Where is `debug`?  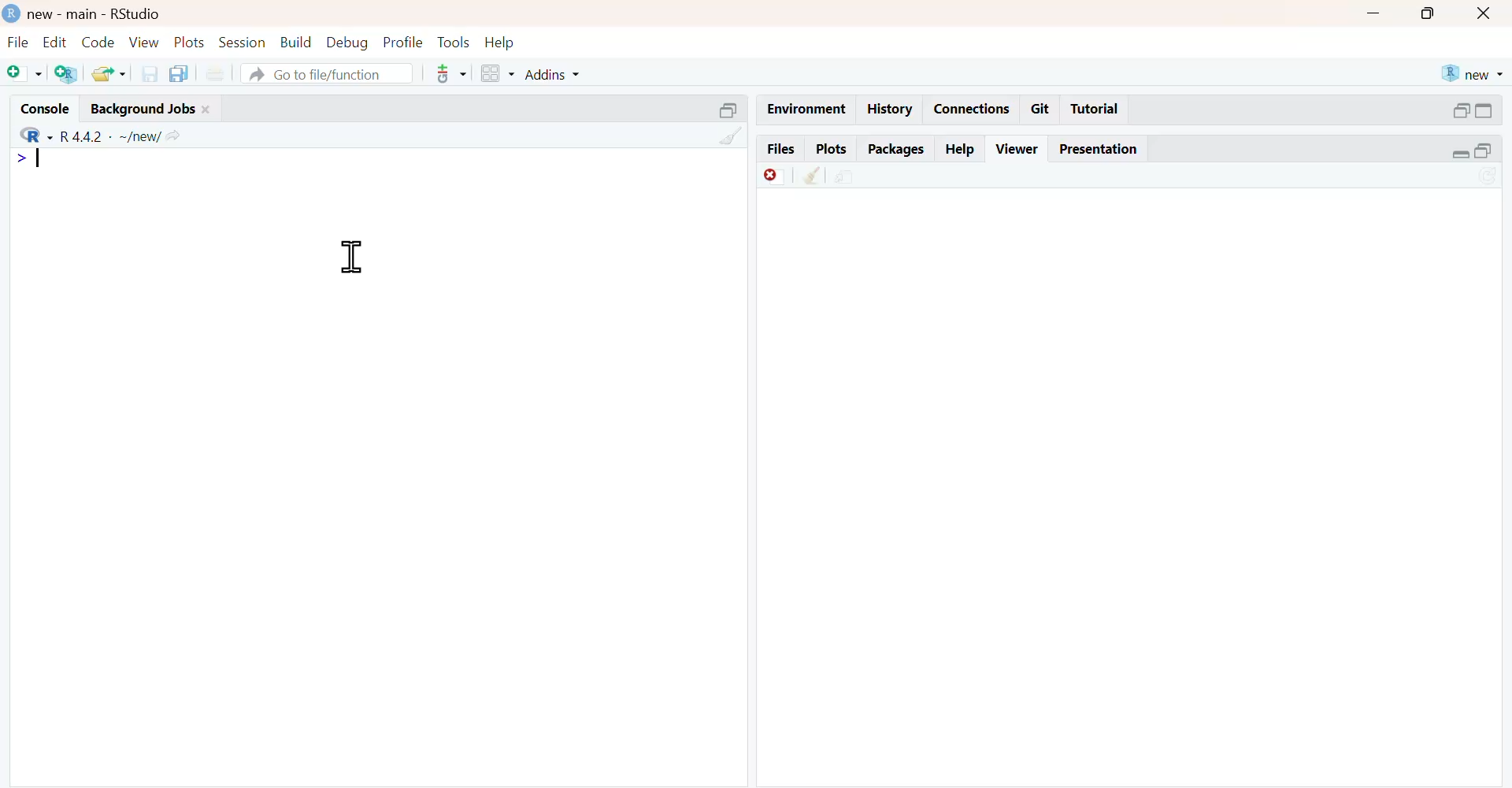
debug is located at coordinates (347, 43).